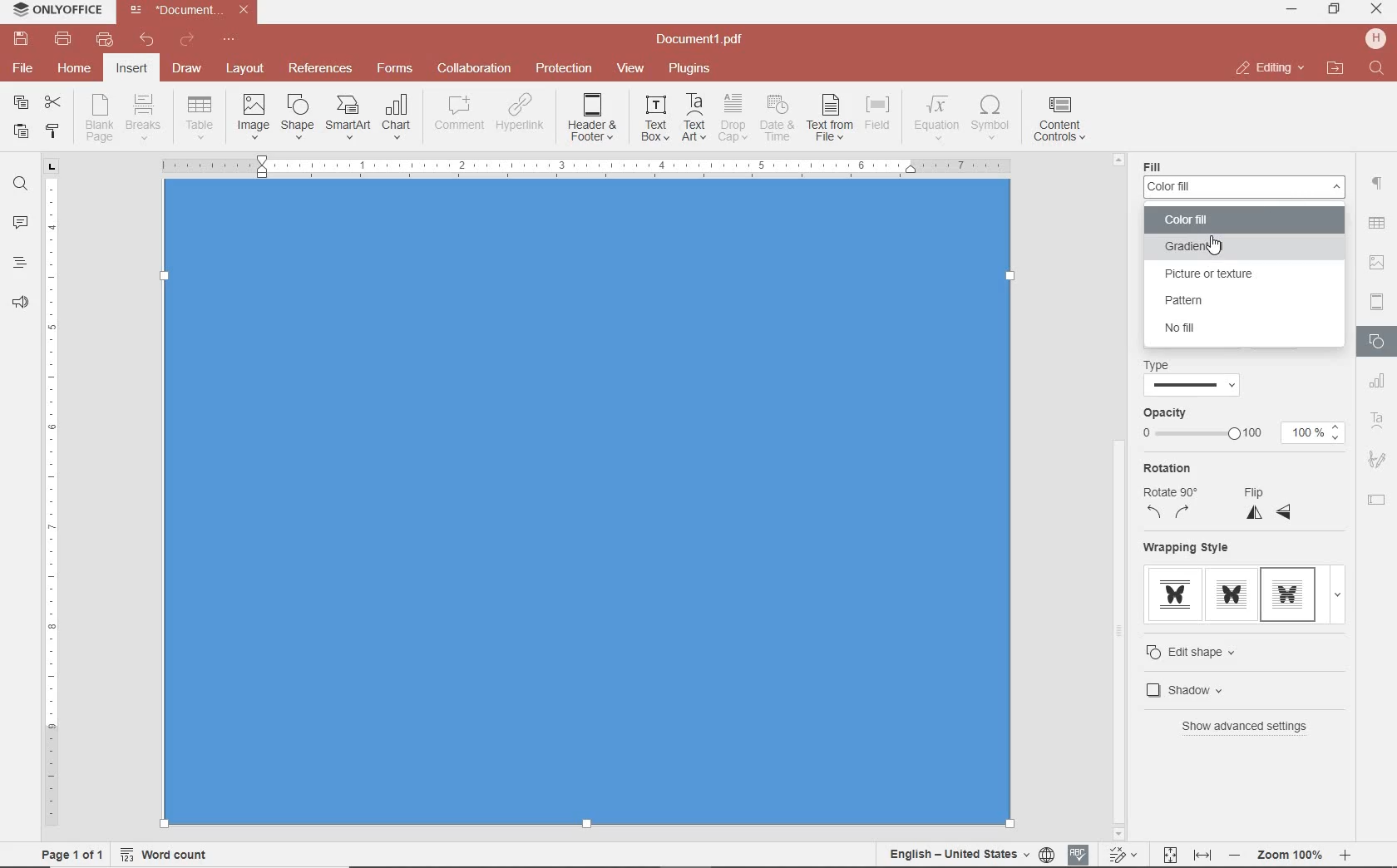 The image size is (1397, 868). Describe the element at coordinates (521, 116) in the screenshot. I see `ADD HYPERLINK` at that location.